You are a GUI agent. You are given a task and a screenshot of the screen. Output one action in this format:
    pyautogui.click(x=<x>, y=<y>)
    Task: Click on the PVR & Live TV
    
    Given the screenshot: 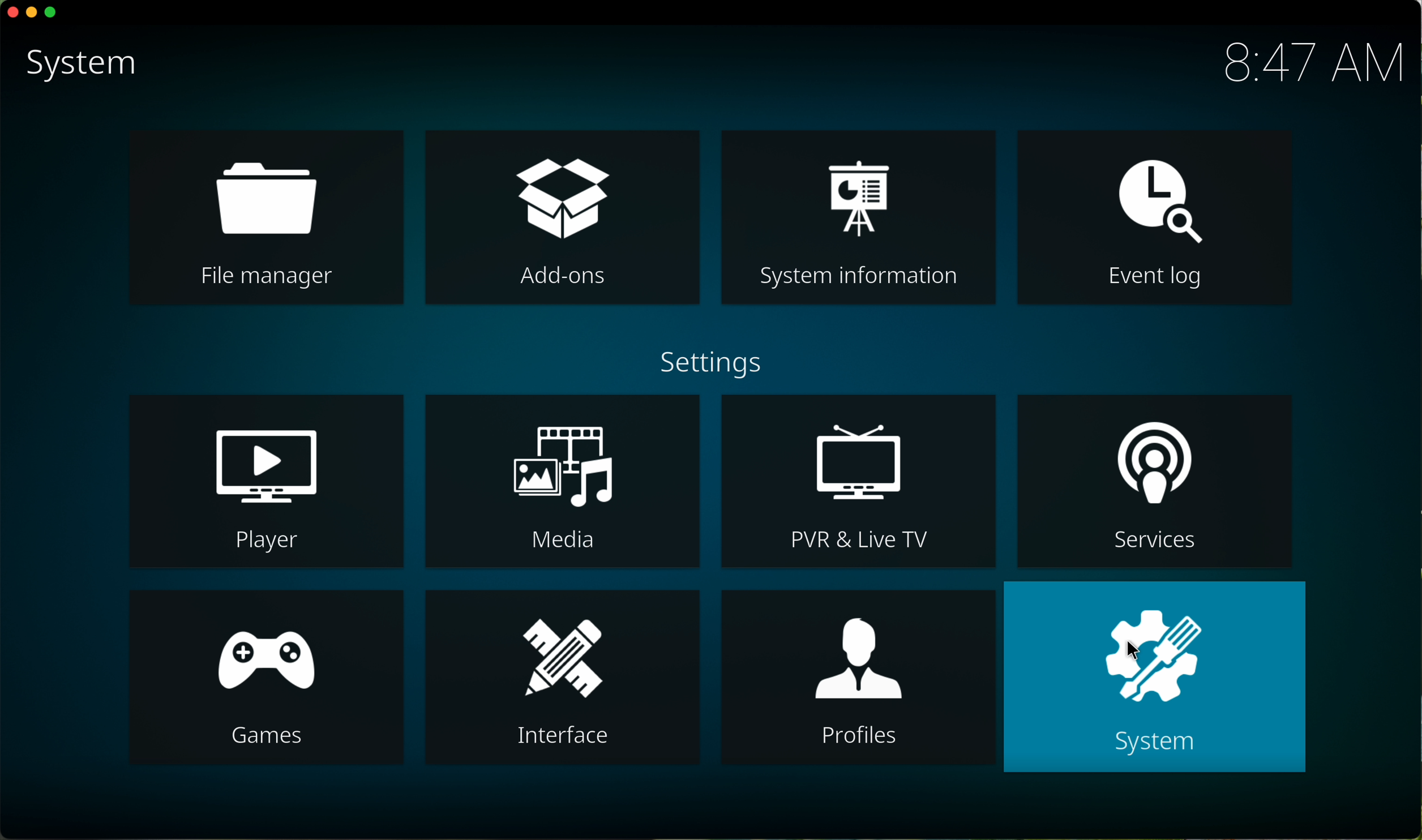 What is the action you would take?
    pyautogui.click(x=858, y=479)
    